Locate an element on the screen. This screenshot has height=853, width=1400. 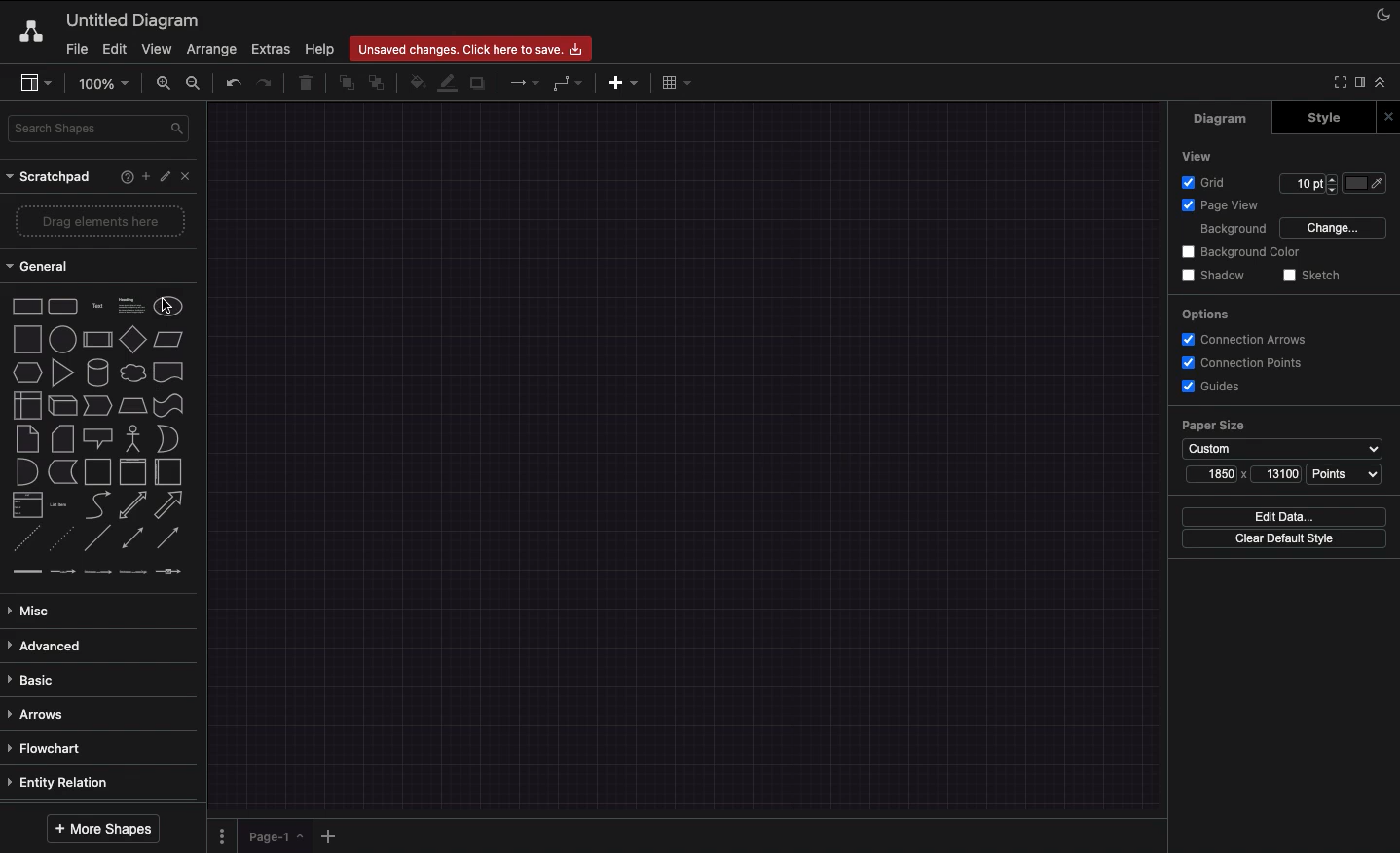
Process is located at coordinates (95, 341).